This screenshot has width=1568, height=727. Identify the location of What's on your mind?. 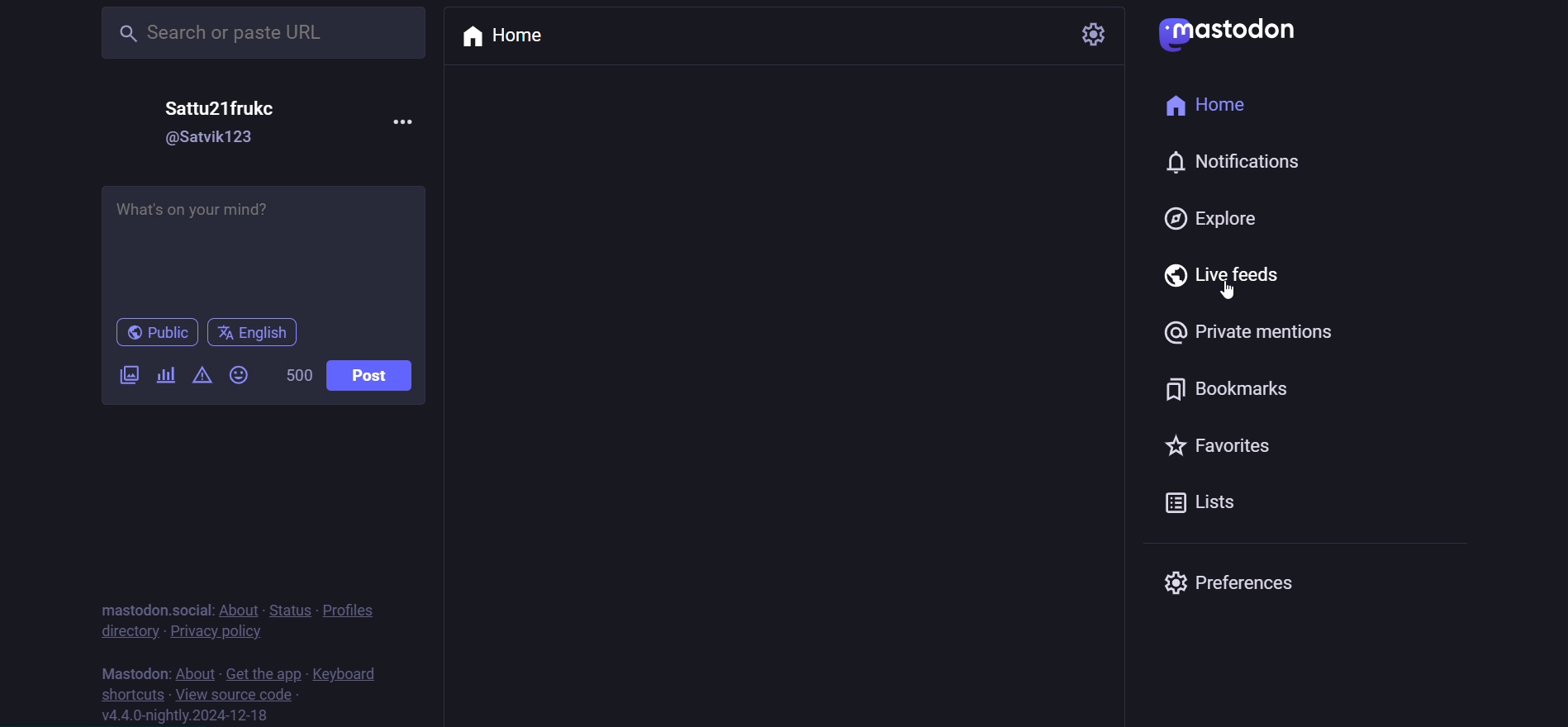
(264, 245).